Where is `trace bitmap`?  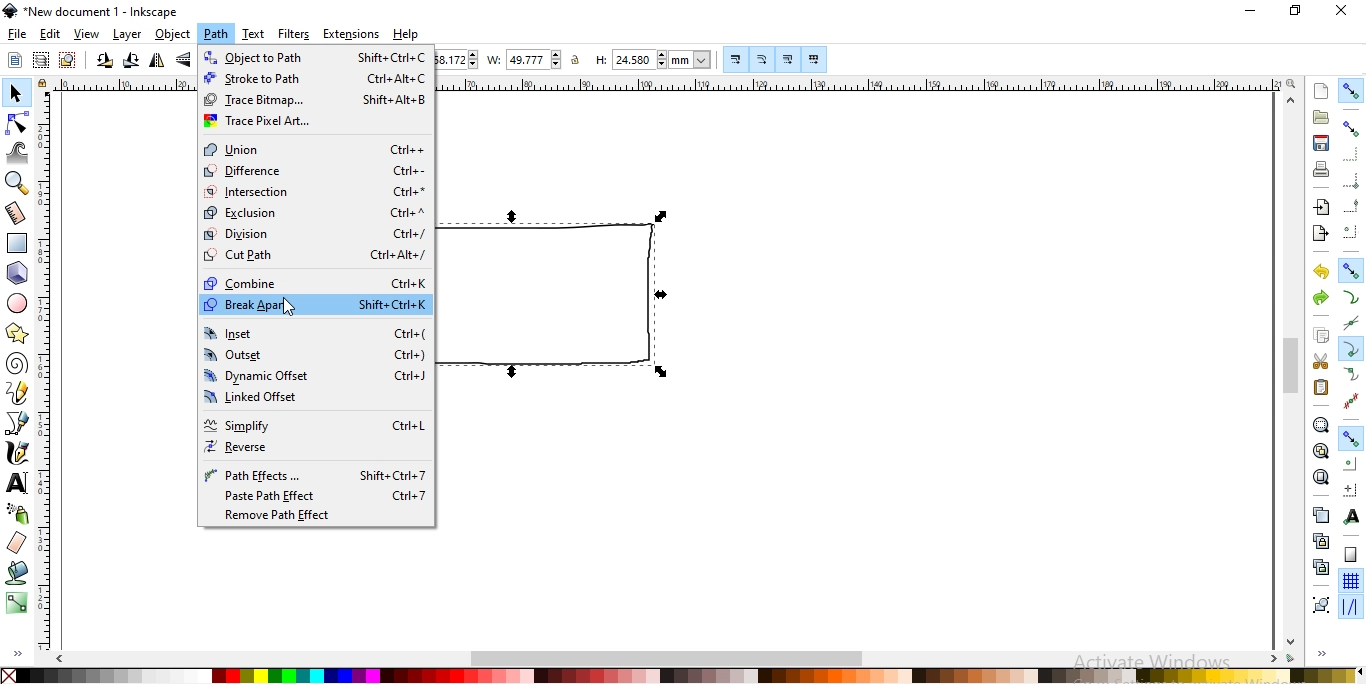 trace bitmap is located at coordinates (315, 100).